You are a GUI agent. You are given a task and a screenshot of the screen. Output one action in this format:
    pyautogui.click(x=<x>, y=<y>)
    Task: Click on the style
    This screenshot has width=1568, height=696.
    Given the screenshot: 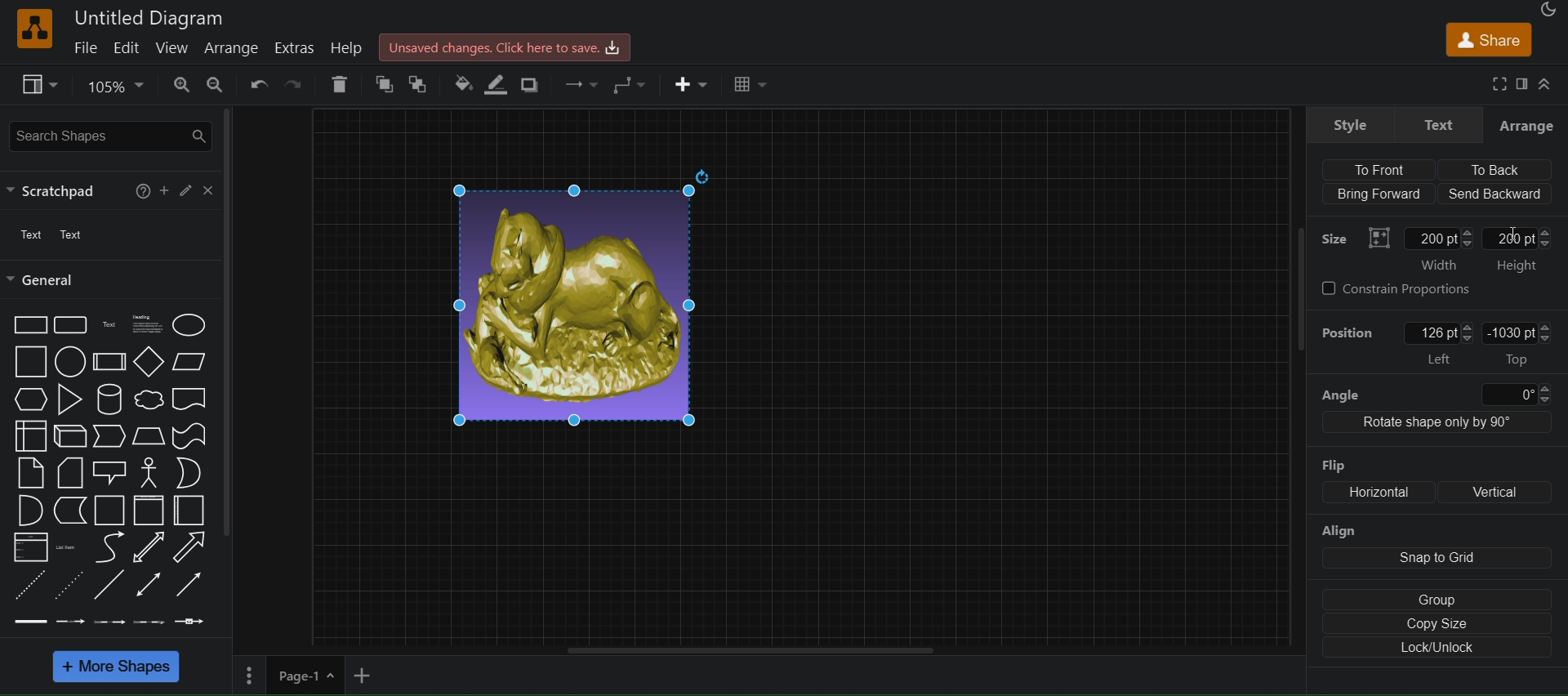 What is the action you would take?
    pyautogui.click(x=1351, y=124)
    